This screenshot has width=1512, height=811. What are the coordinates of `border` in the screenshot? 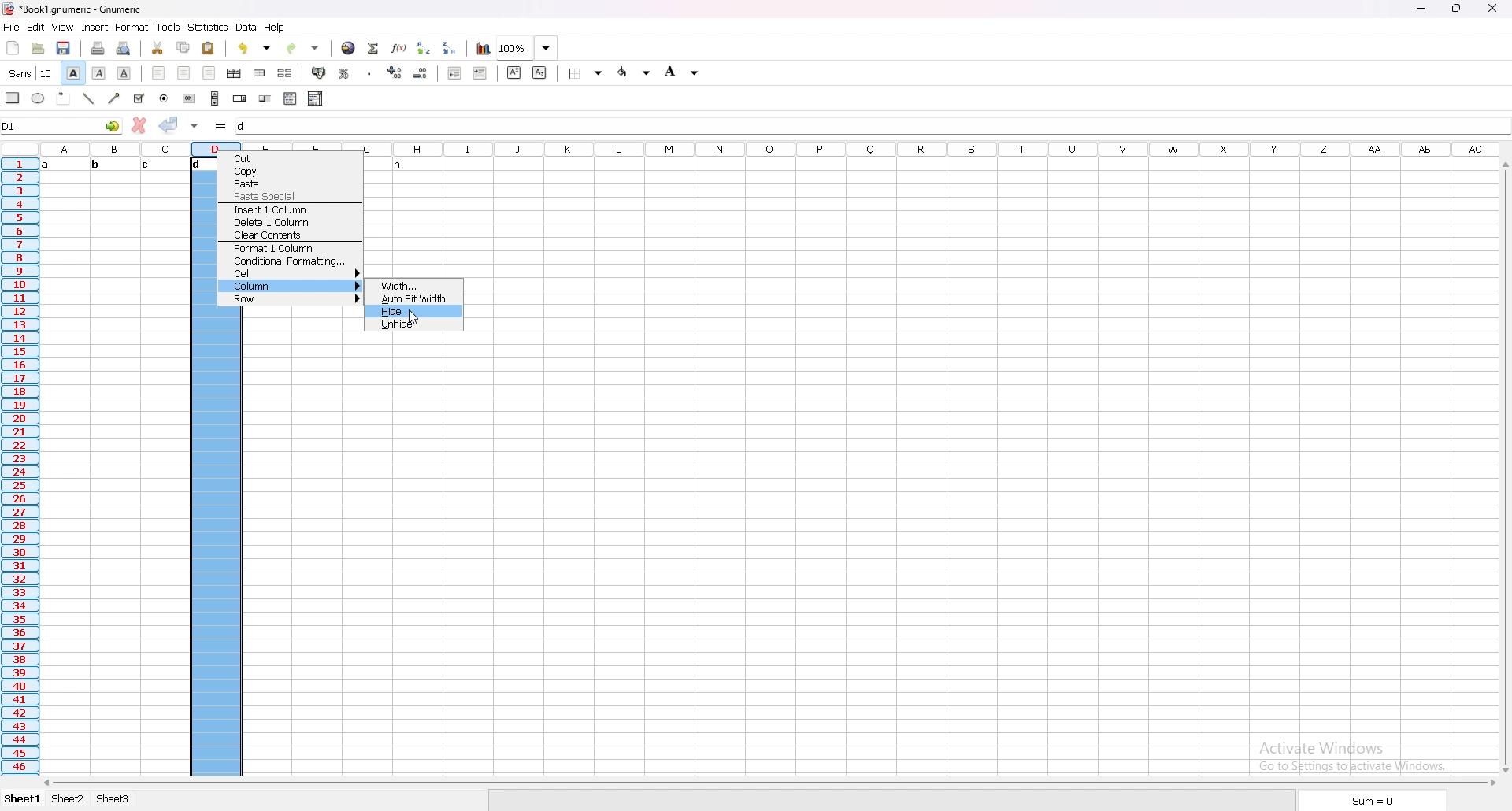 It's located at (589, 72).